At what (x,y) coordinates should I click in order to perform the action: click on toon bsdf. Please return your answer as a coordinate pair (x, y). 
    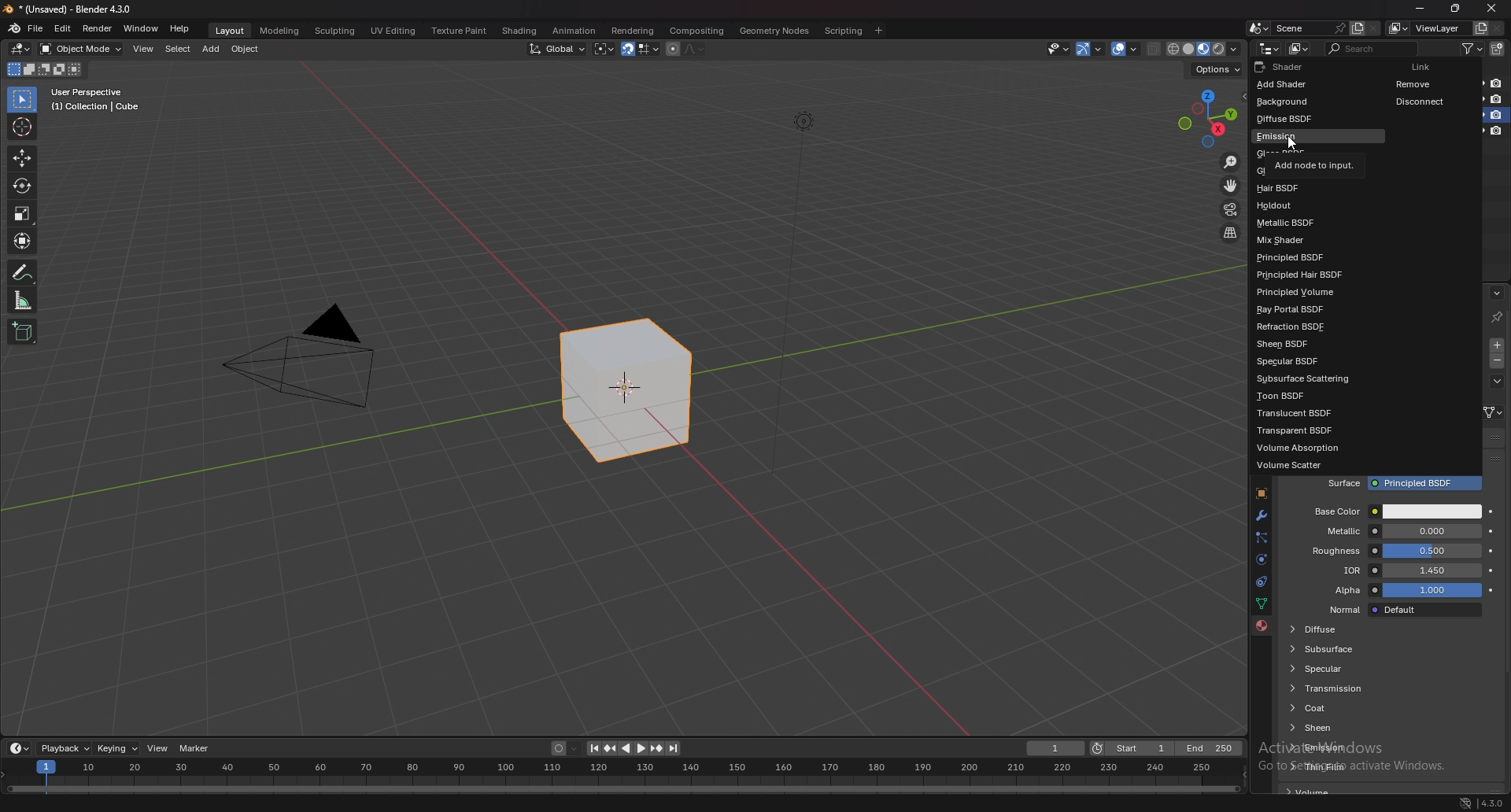
    Looking at the image, I should click on (1301, 396).